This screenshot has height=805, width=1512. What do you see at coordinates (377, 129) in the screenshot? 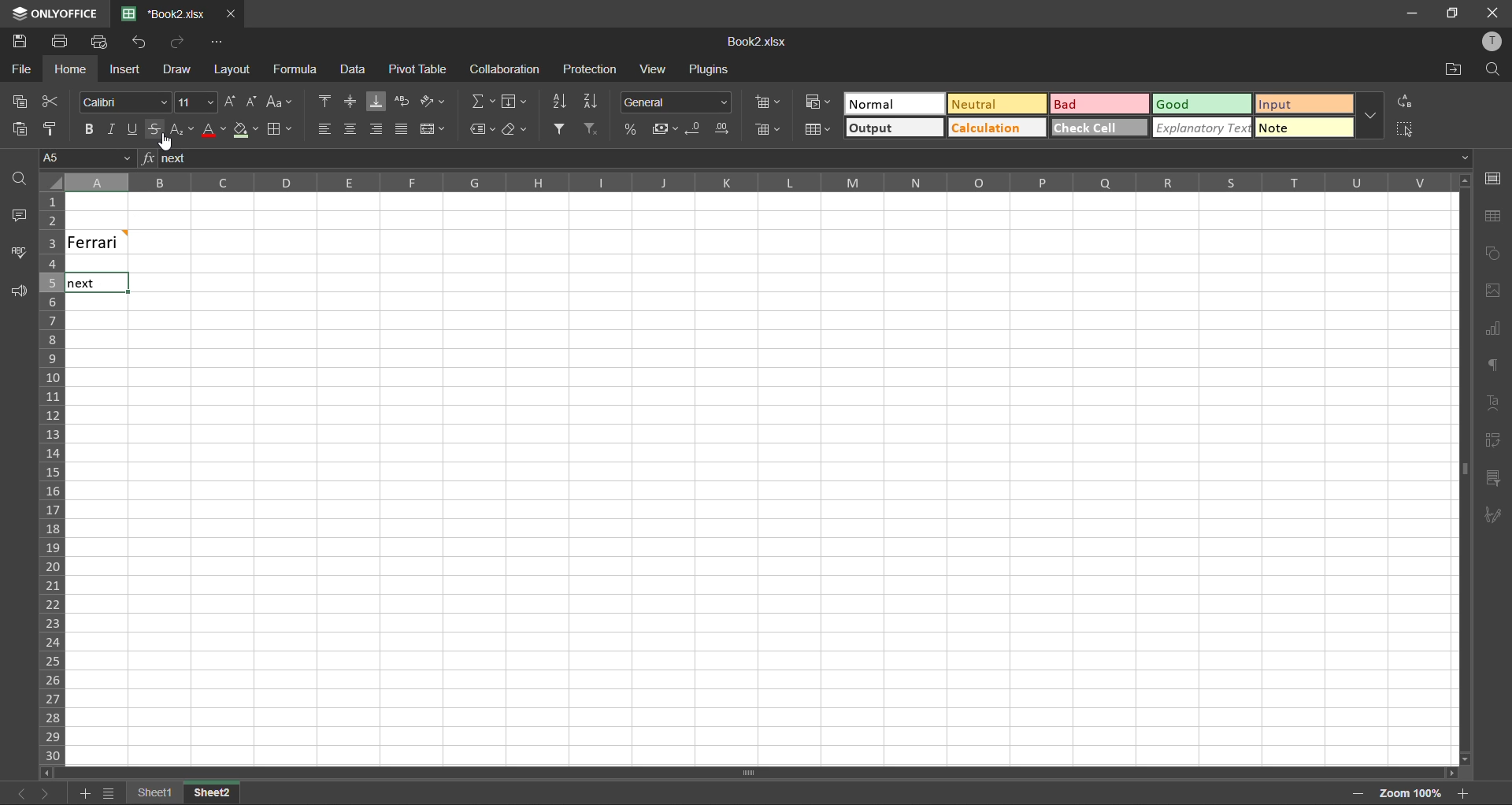
I see `align right` at bounding box center [377, 129].